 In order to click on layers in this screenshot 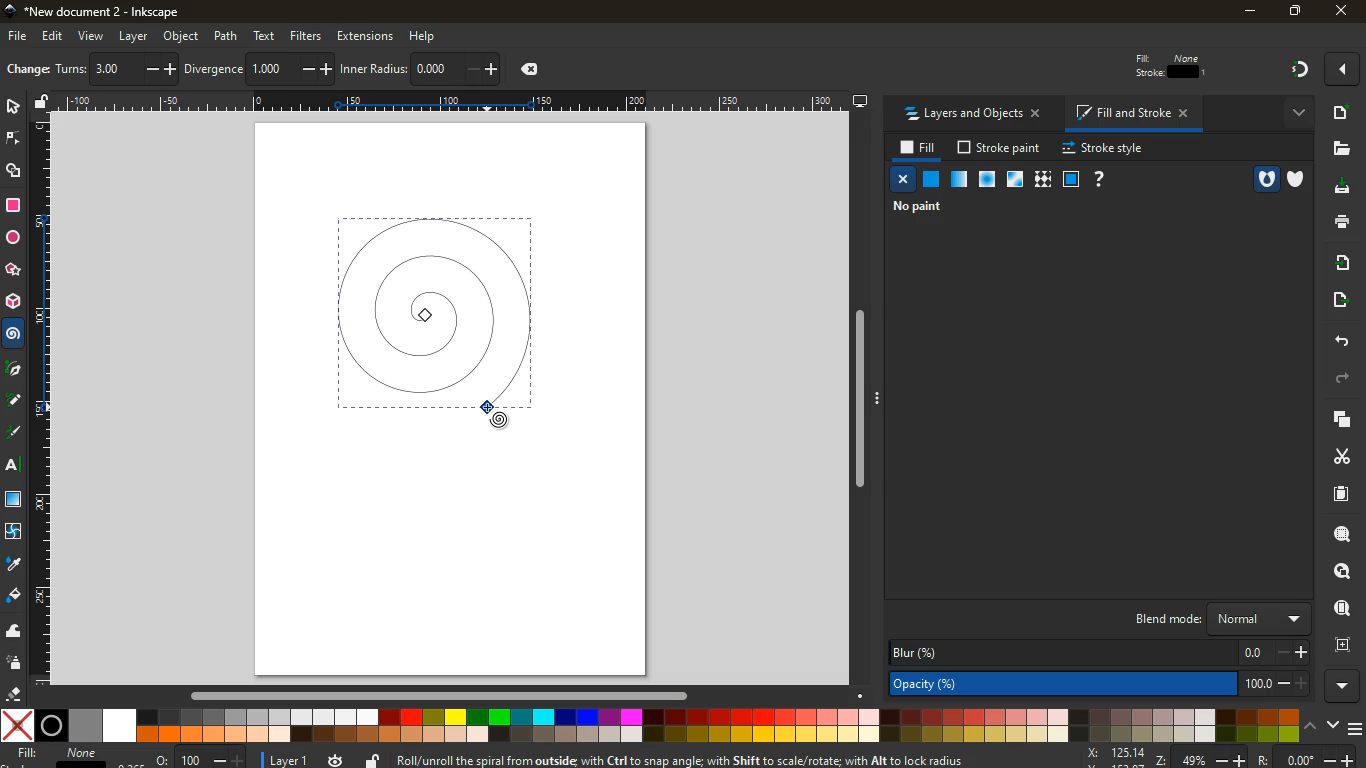, I will do `click(1337, 423)`.